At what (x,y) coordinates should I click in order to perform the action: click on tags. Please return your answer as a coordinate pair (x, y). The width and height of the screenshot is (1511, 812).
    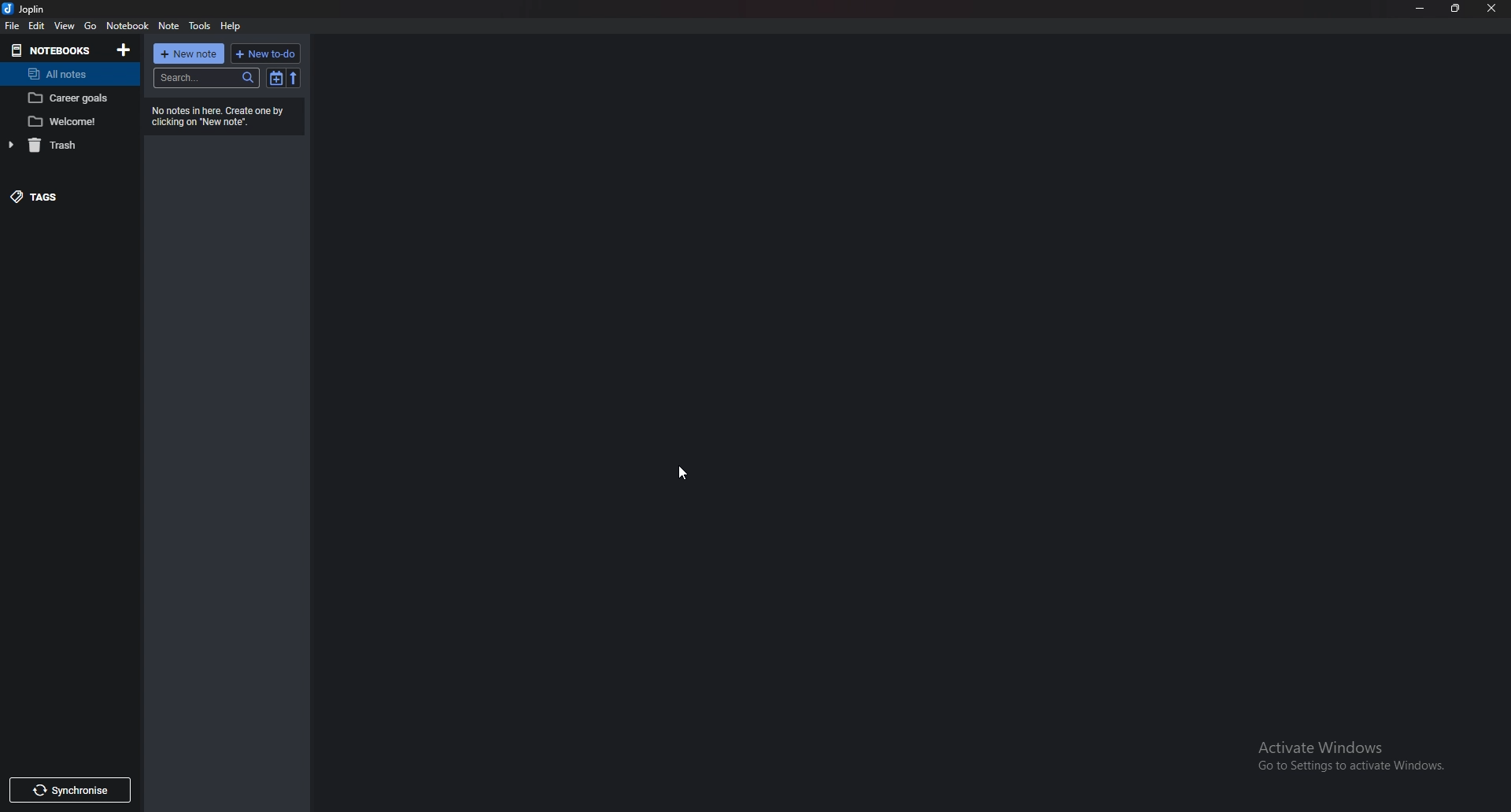
    Looking at the image, I should click on (56, 197).